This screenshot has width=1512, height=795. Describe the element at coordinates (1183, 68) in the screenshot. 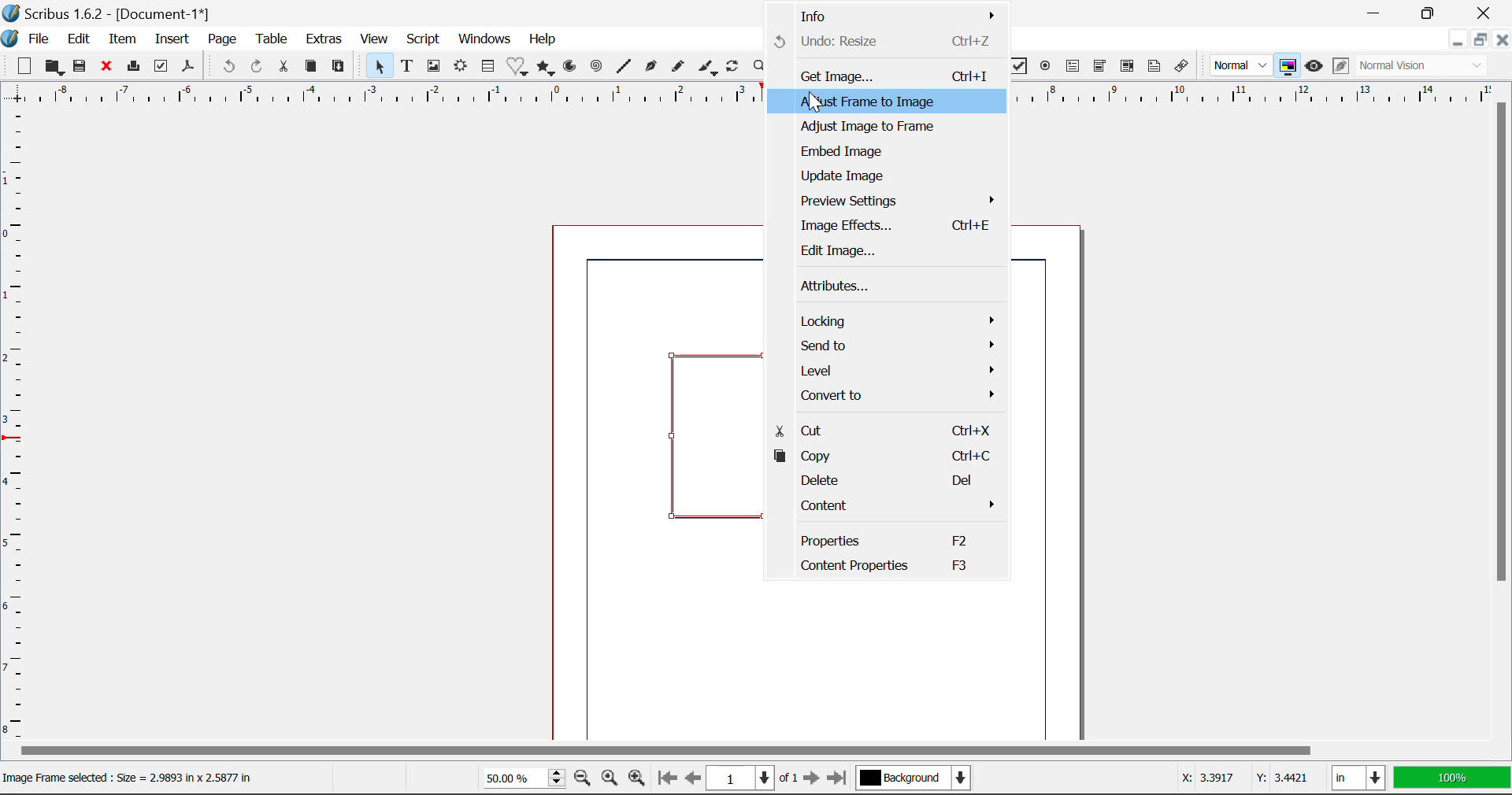

I see `Link Annotation` at that location.